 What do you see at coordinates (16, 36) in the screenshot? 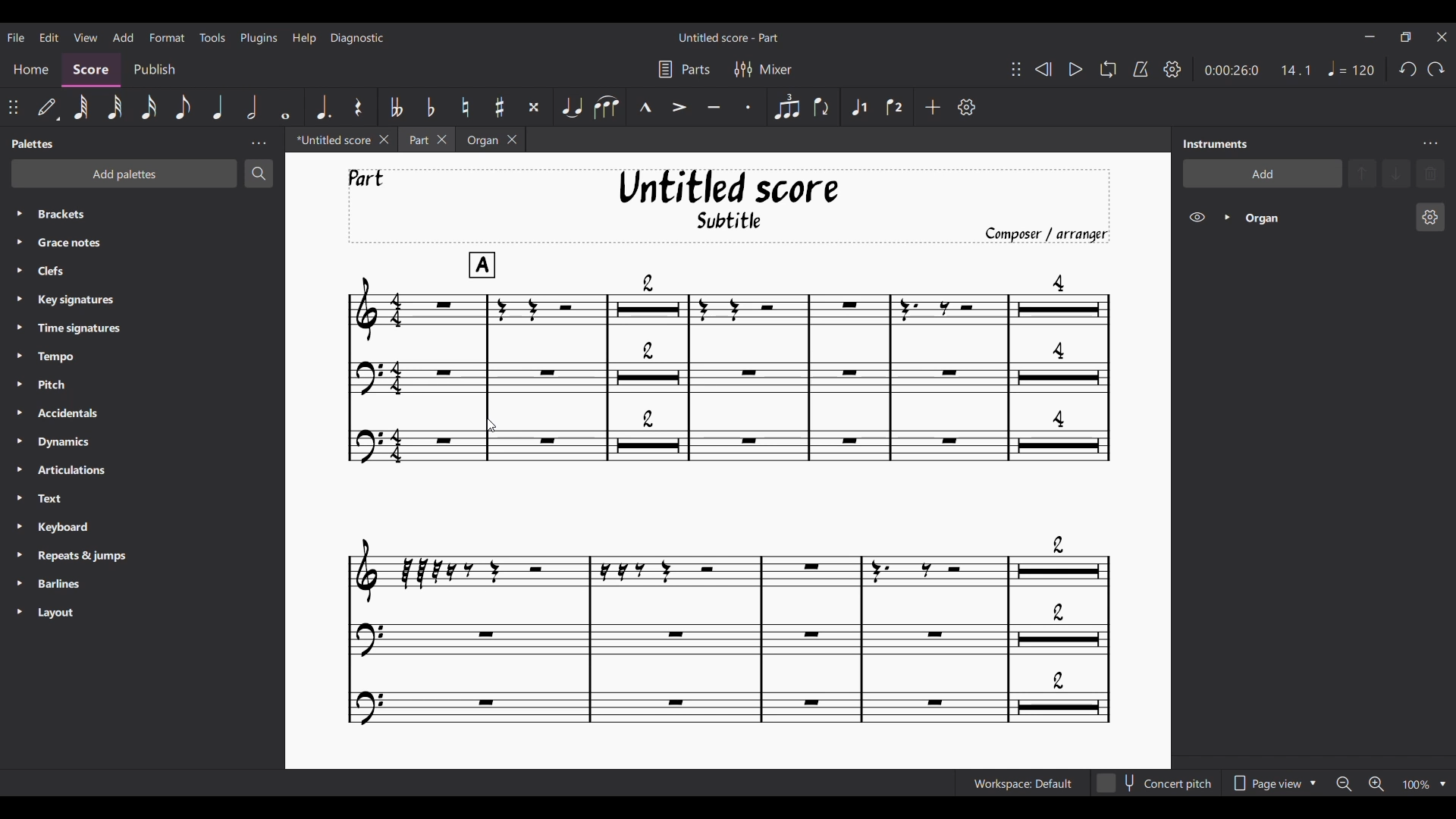
I see `File menu` at bounding box center [16, 36].